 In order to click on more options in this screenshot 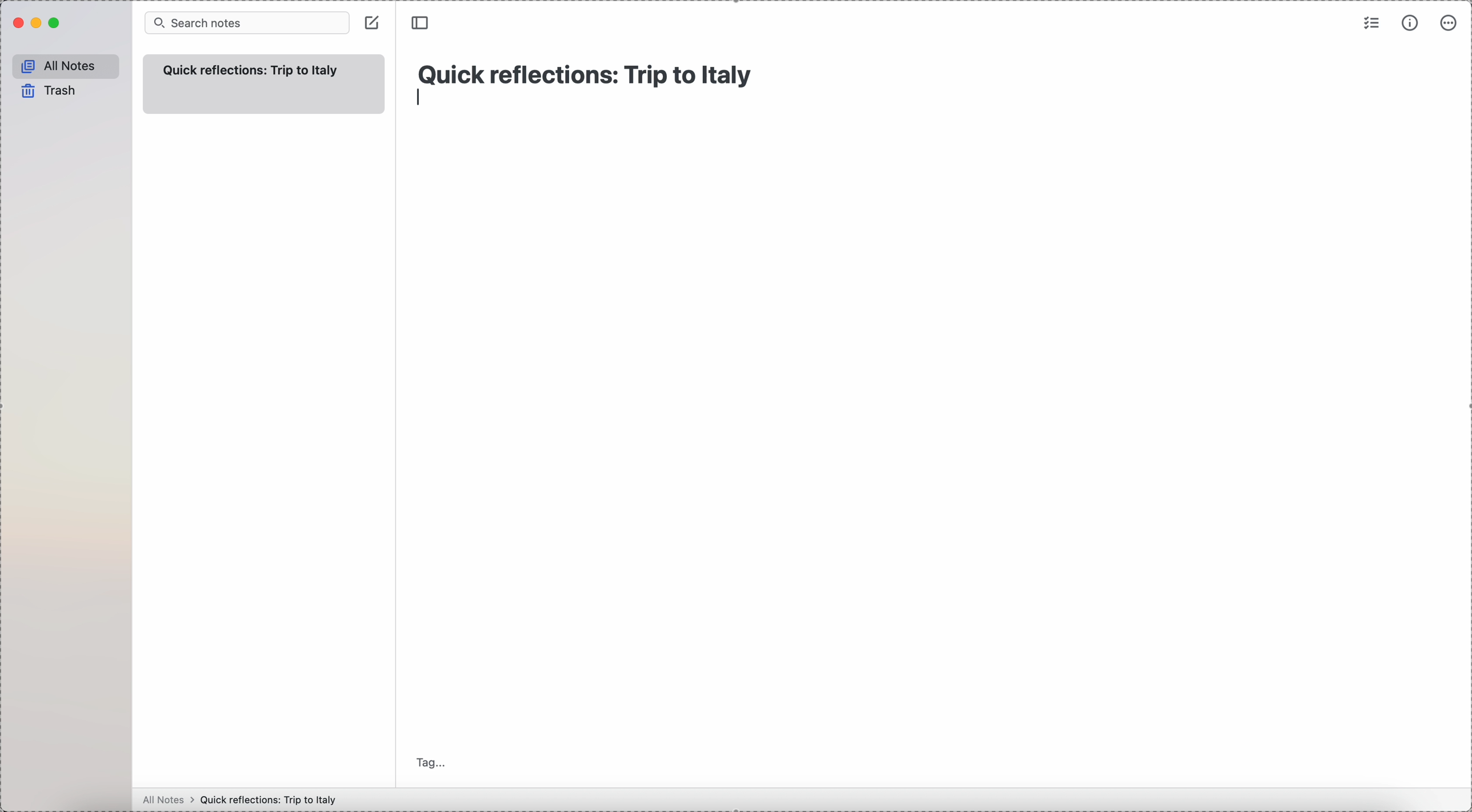, I will do `click(1449, 25)`.